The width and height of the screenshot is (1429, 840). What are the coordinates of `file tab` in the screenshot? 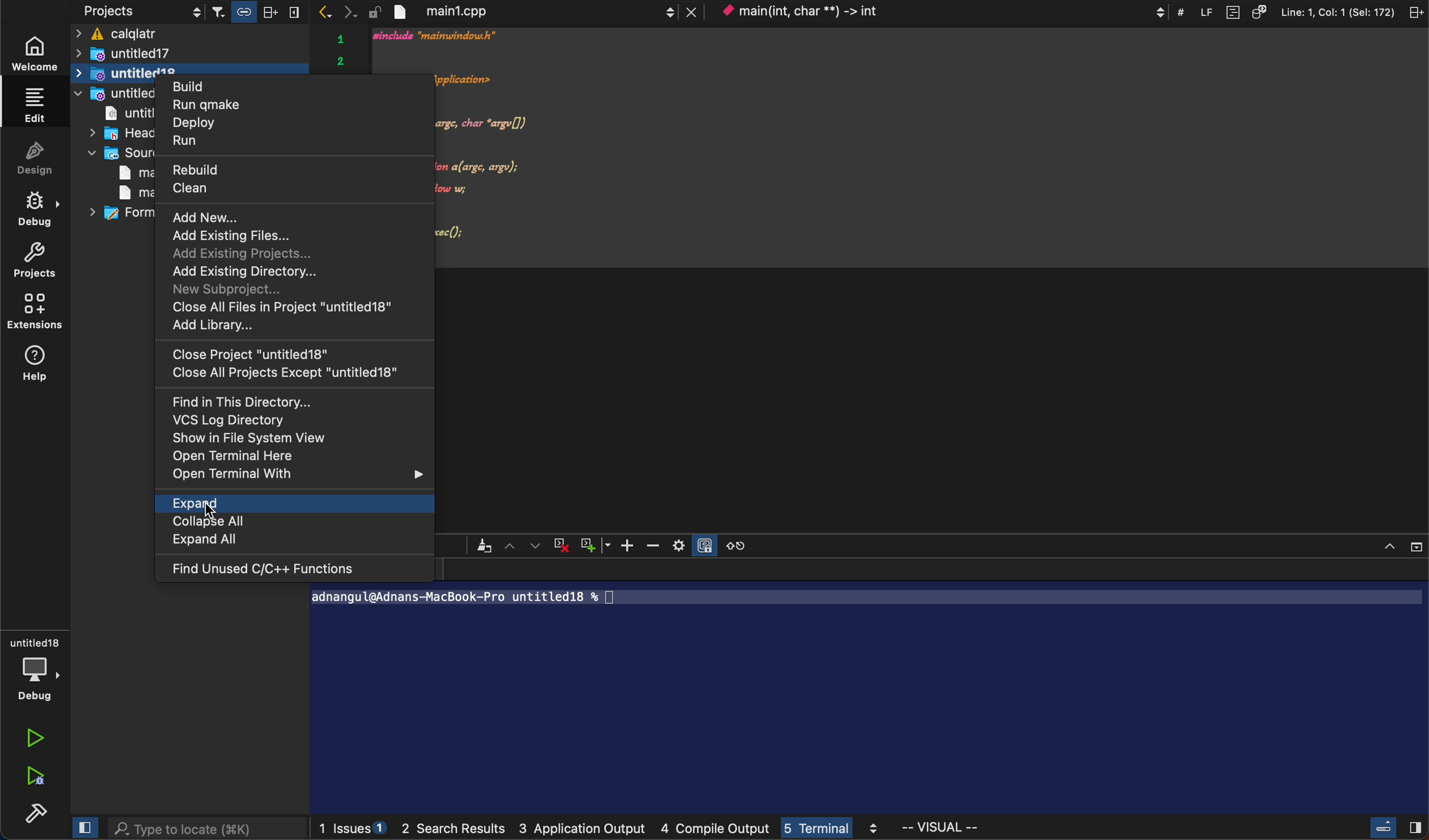 It's located at (523, 12).